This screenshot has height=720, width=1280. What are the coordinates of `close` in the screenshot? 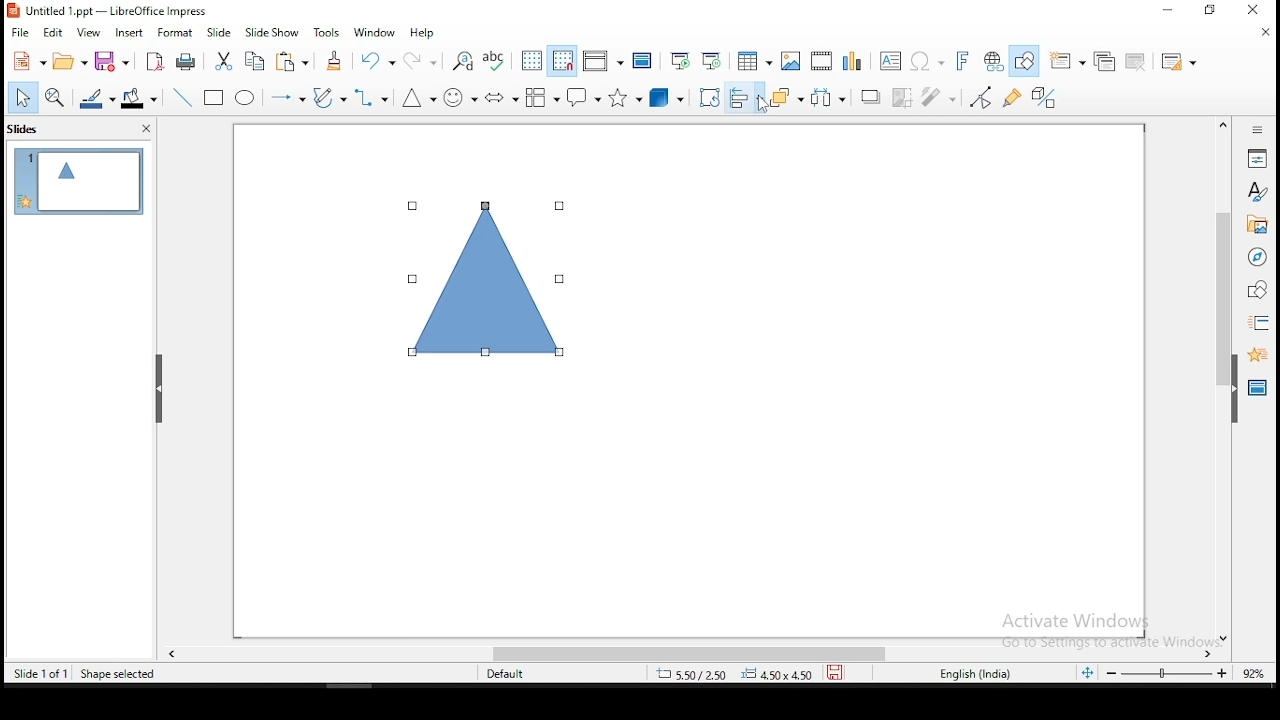 It's located at (1261, 8).